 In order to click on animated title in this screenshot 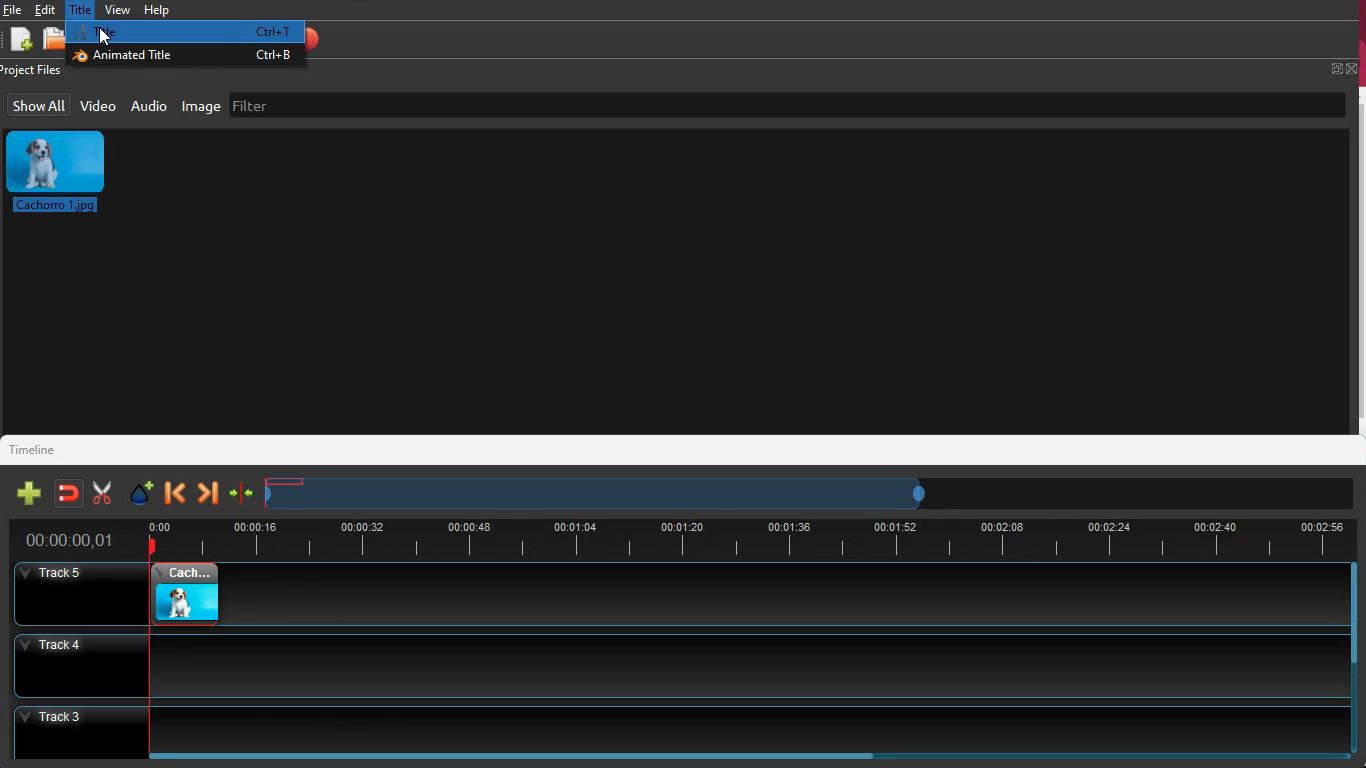, I will do `click(184, 57)`.